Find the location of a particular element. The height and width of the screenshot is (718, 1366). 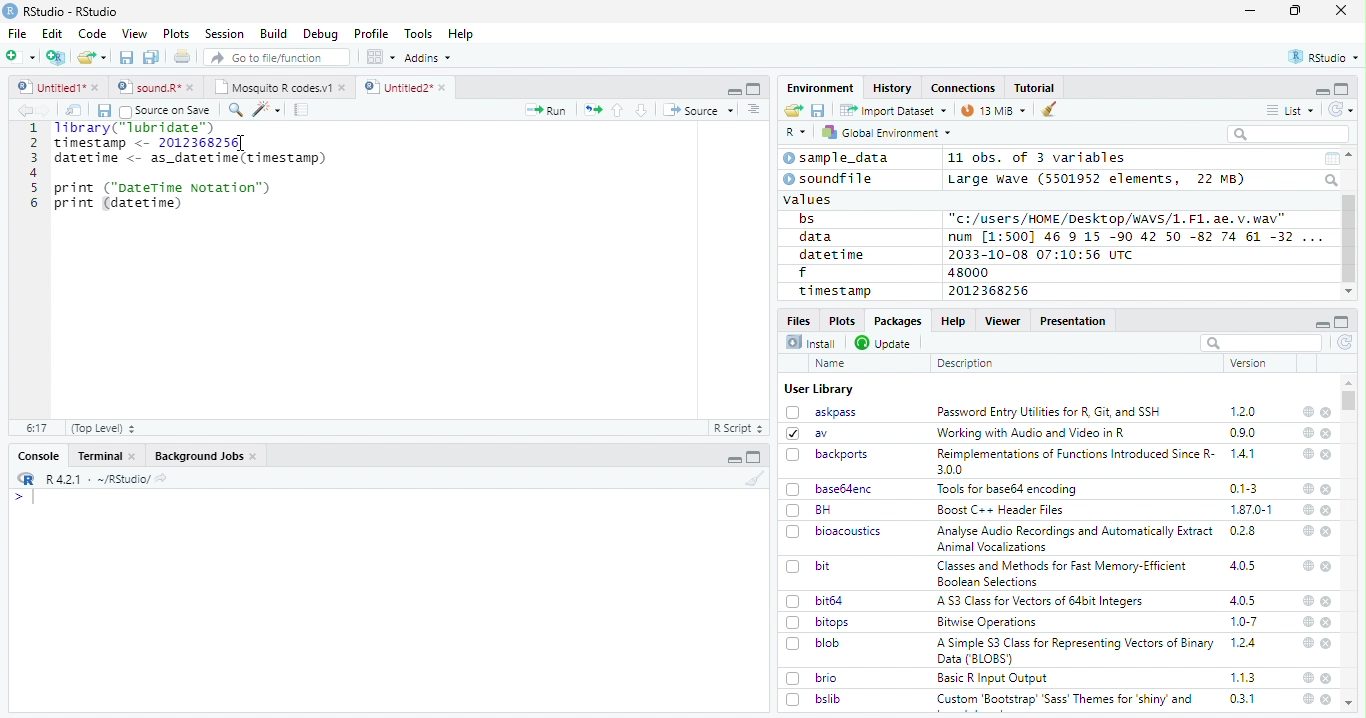

help is located at coordinates (1308, 432).